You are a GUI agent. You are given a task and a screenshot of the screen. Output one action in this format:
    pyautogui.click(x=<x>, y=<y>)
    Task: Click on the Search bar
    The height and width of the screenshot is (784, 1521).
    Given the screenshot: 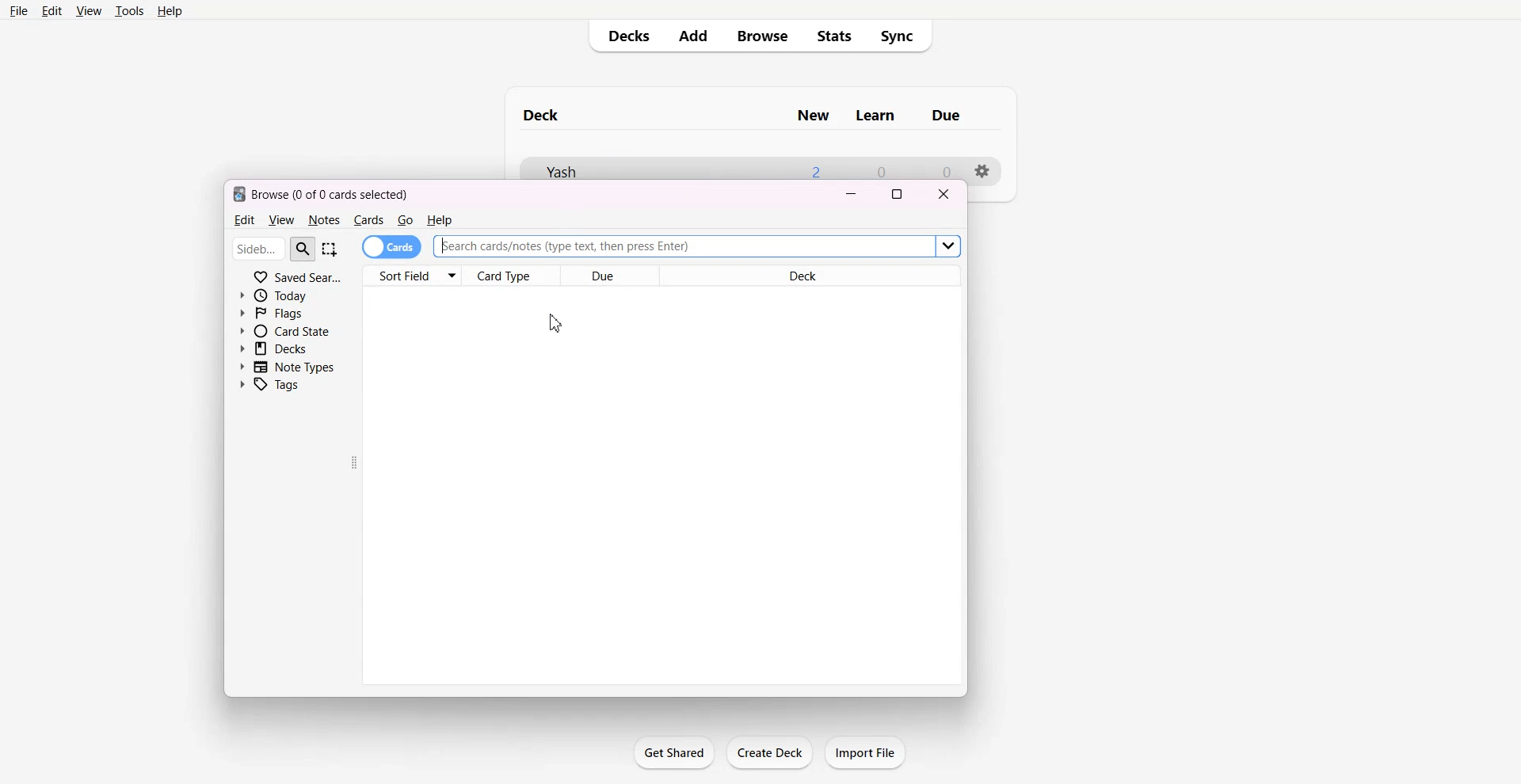 What is the action you would take?
    pyautogui.click(x=696, y=246)
    